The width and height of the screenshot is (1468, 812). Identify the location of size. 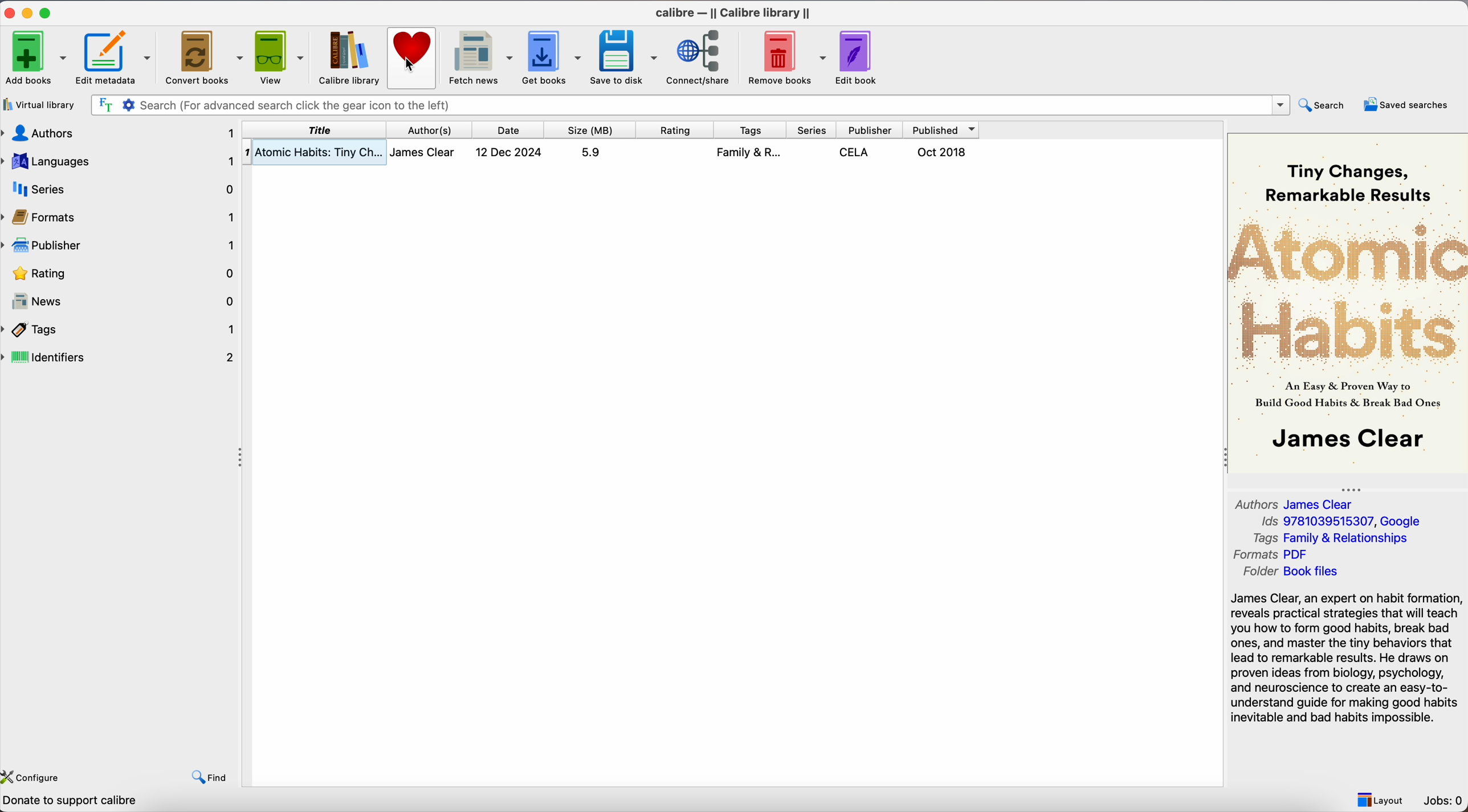
(589, 129).